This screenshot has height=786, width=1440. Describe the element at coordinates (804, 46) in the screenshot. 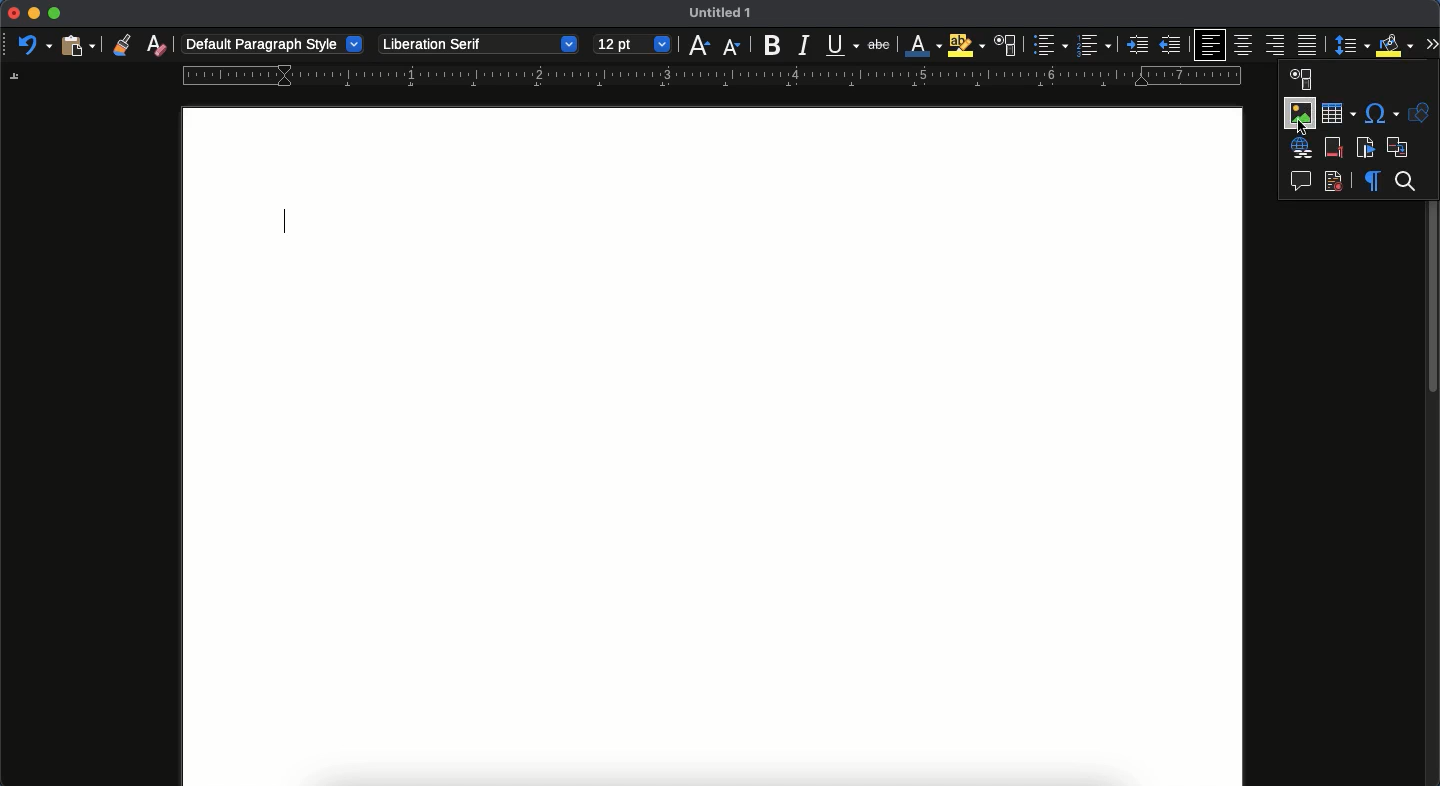

I see `italics` at that location.